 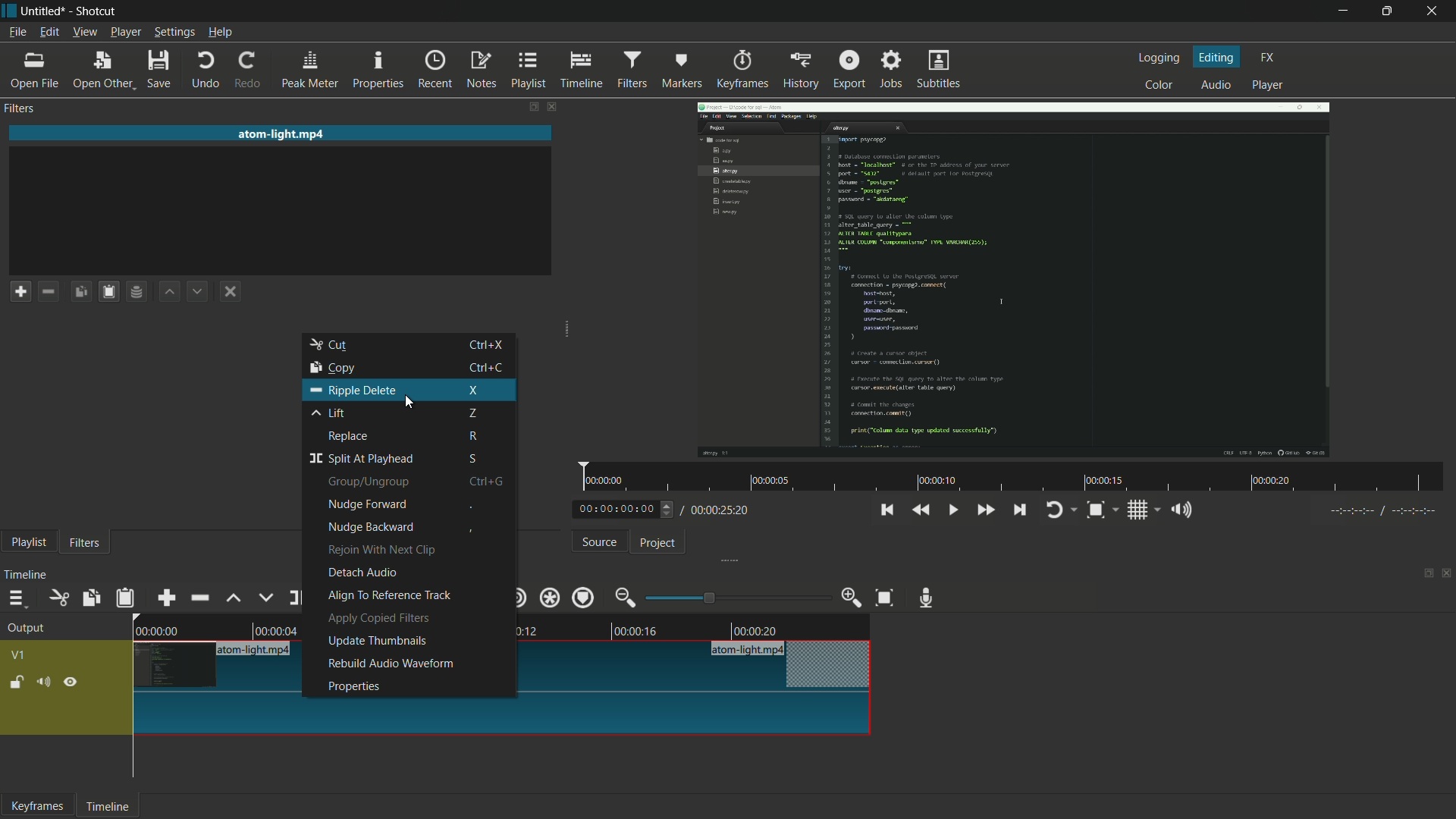 What do you see at coordinates (758, 629) in the screenshot?
I see `0:00:00:20` at bounding box center [758, 629].